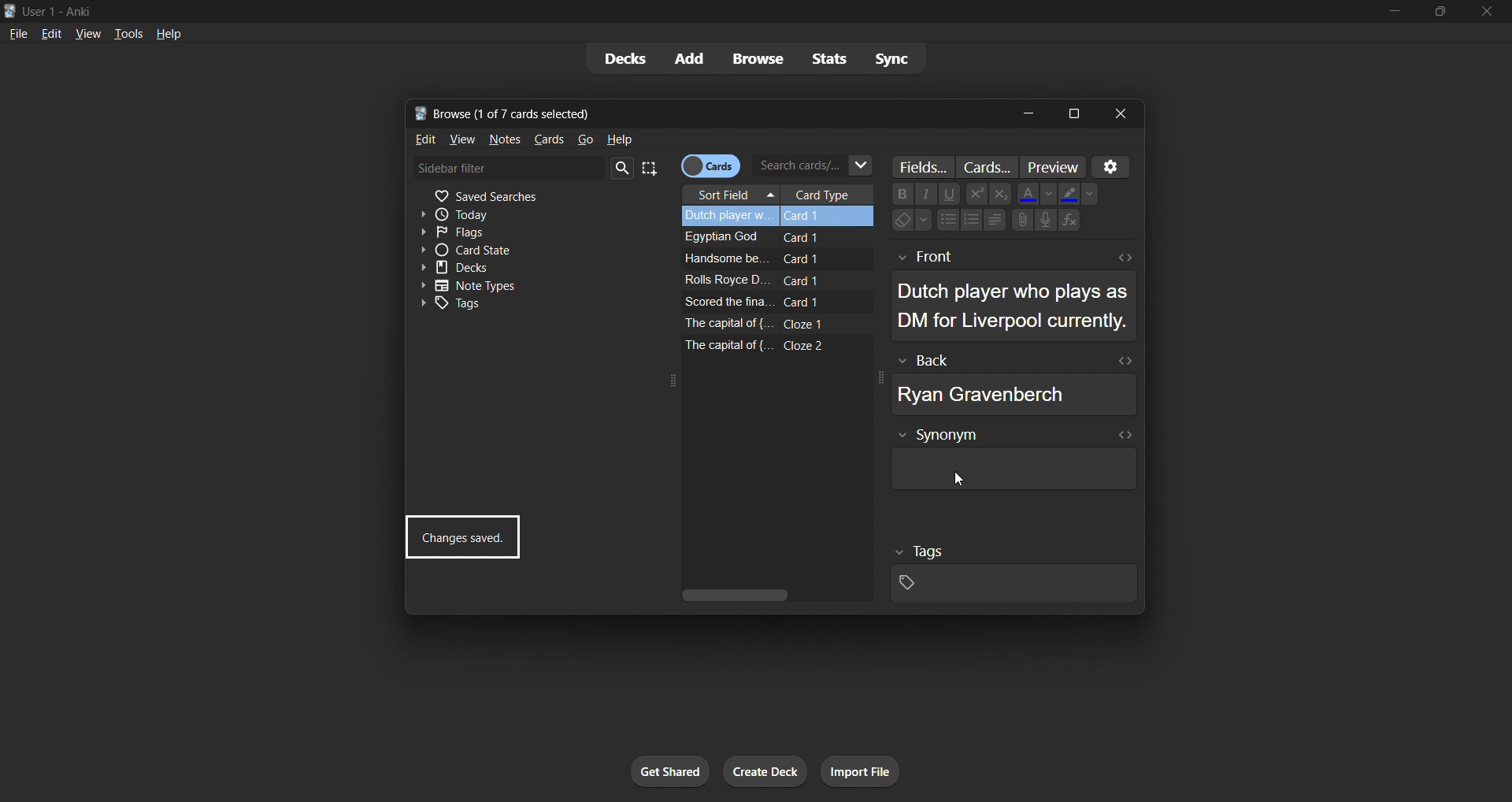 This screenshot has height=802, width=1512. What do you see at coordinates (1092, 194) in the screenshot?
I see `Dropdown` at bounding box center [1092, 194].